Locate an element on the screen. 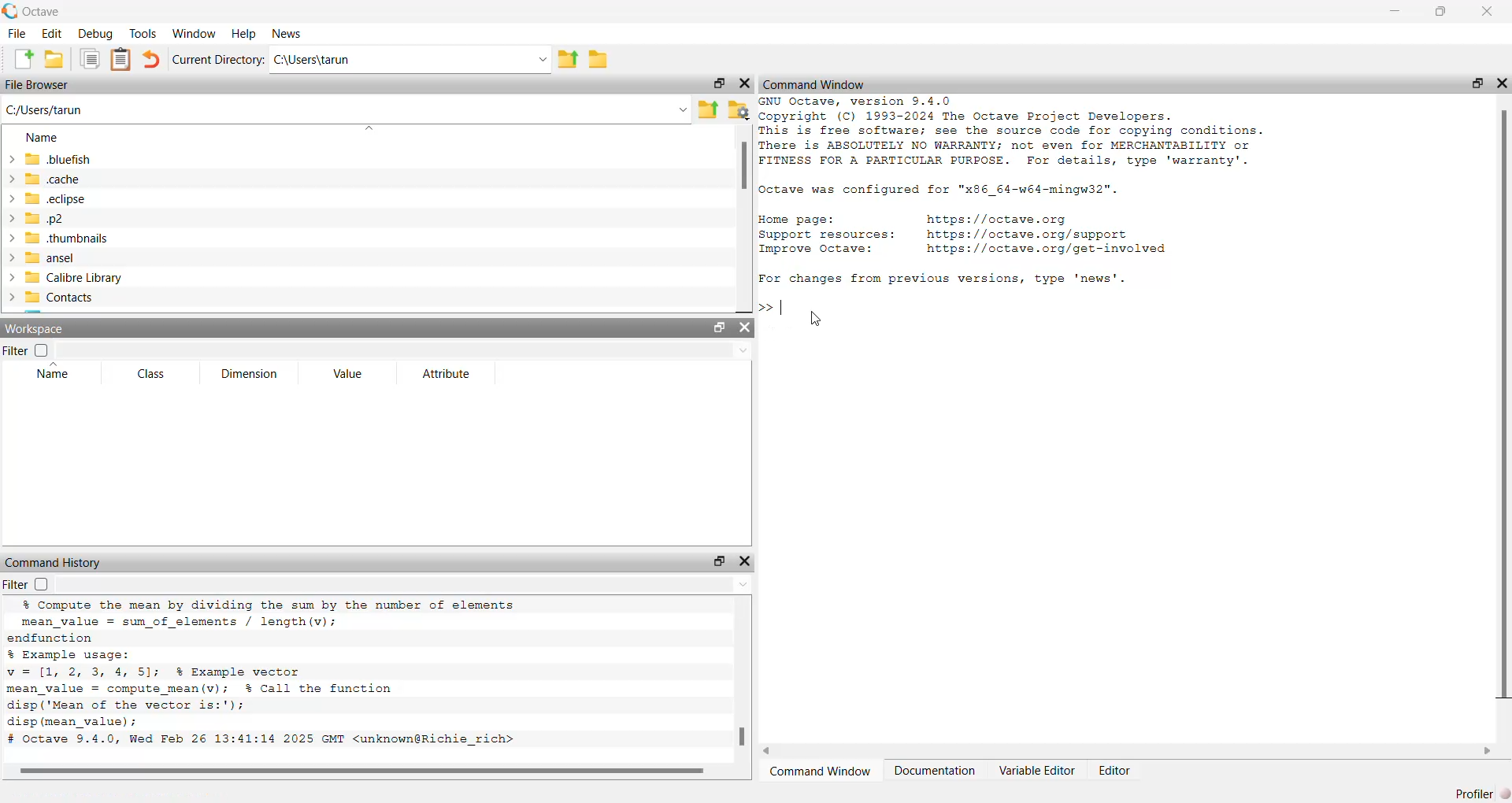 Image resolution: width=1512 pixels, height=803 pixels. .thumbnails is located at coordinates (66, 239).